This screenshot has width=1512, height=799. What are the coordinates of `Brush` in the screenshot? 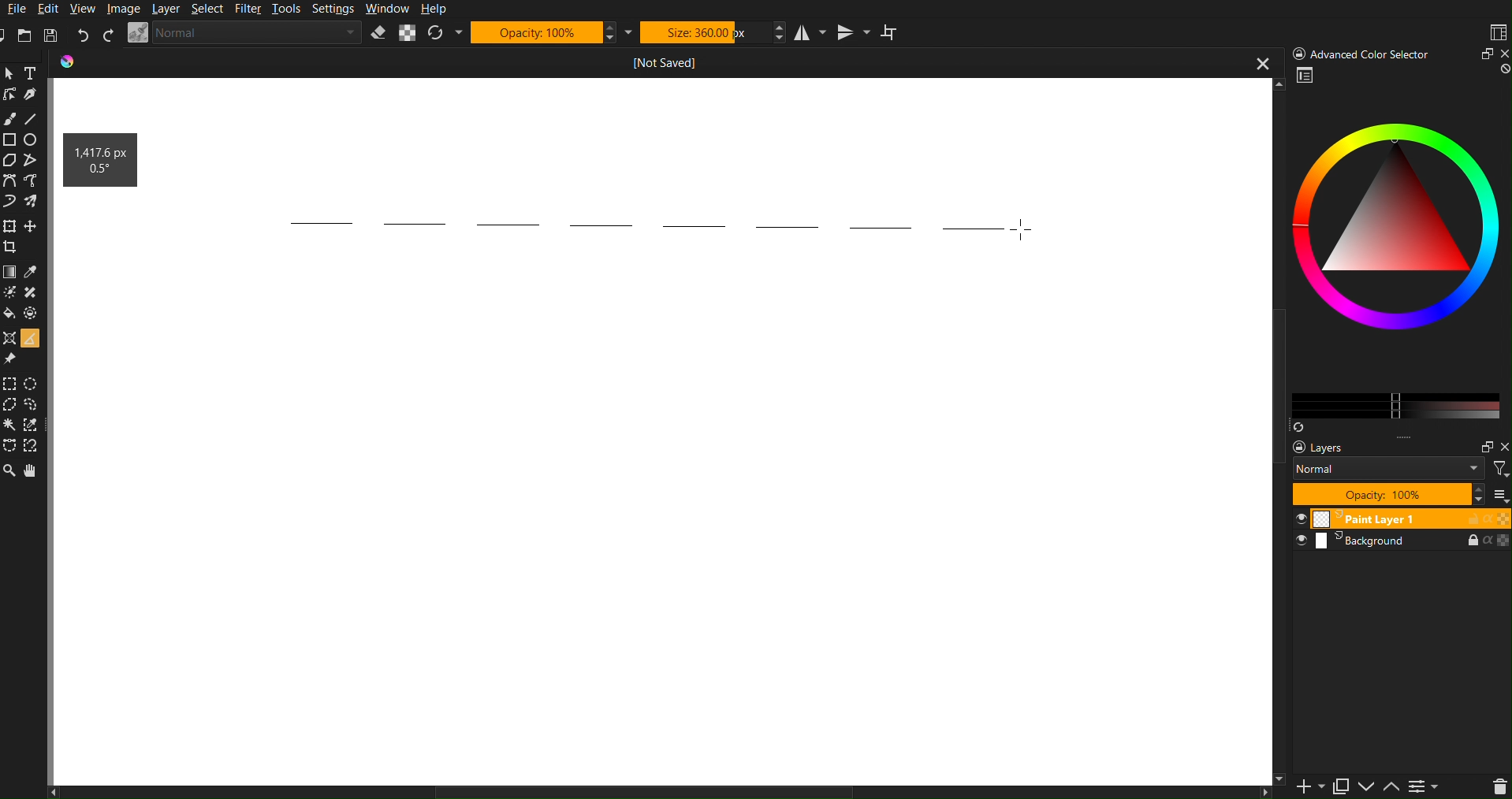 It's located at (11, 118).